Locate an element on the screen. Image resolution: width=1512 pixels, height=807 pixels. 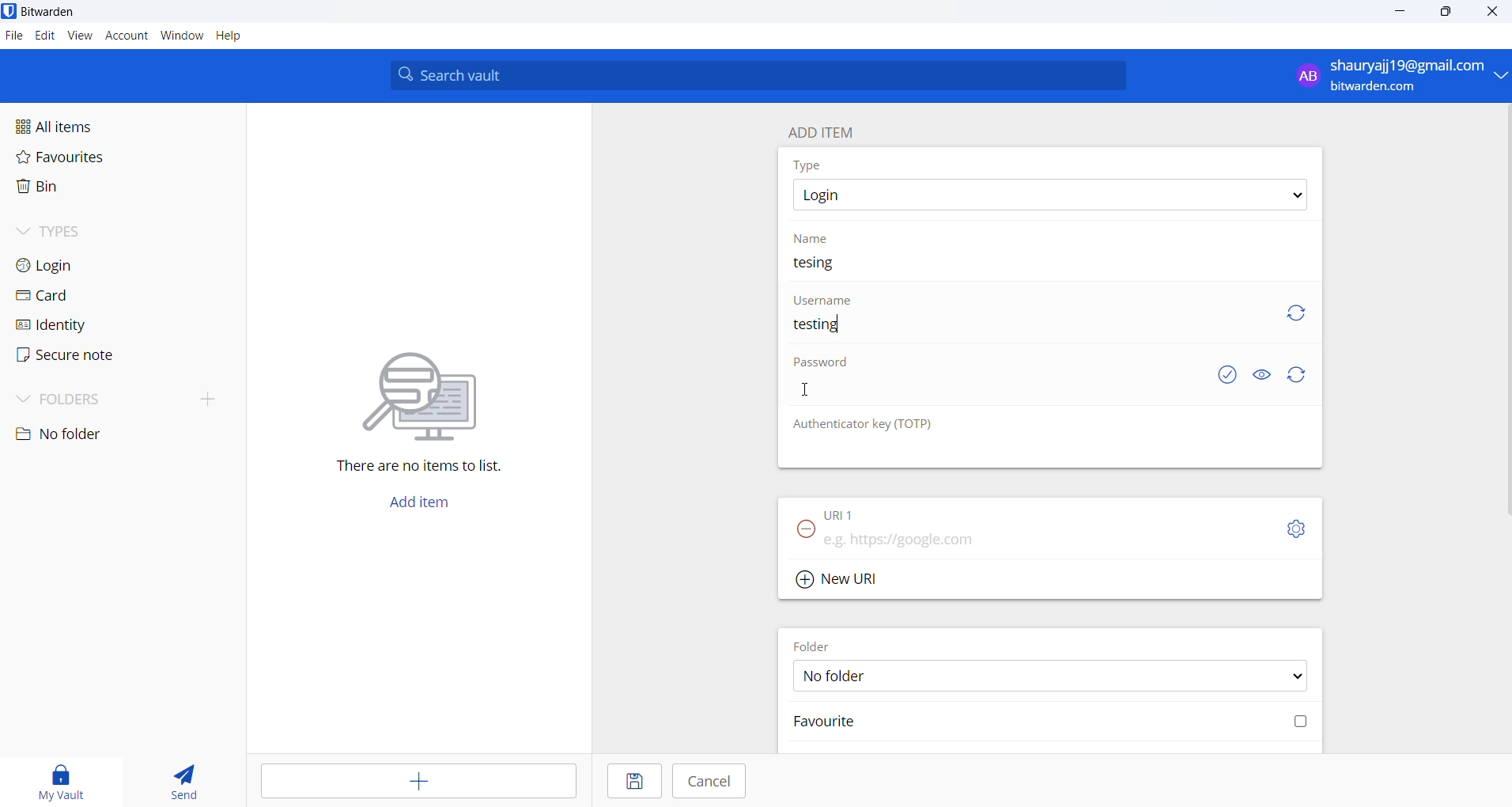
add item is located at coordinates (421, 781).